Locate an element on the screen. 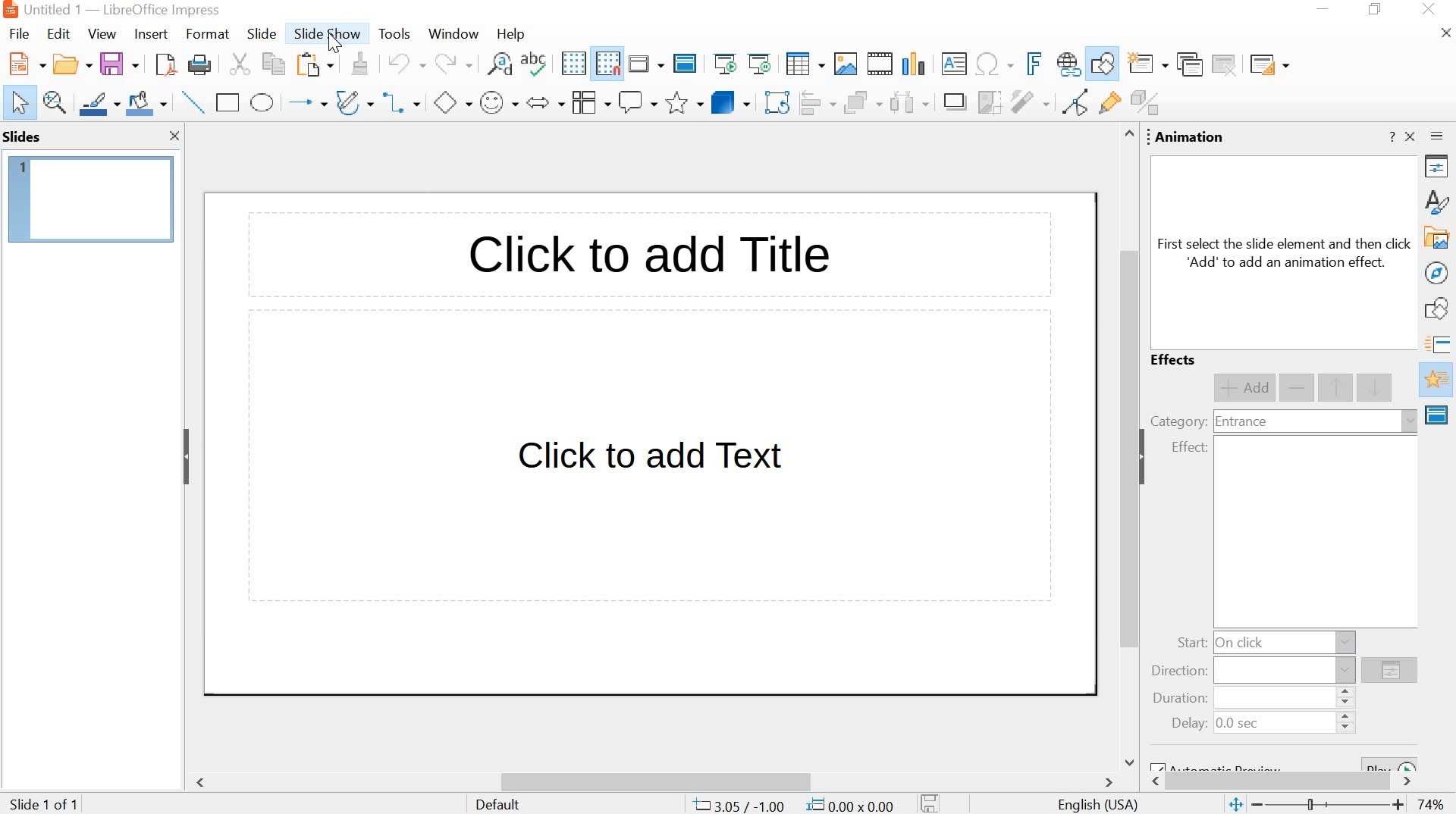 The height and width of the screenshot is (814, 1456). crop image is located at coordinates (989, 102).